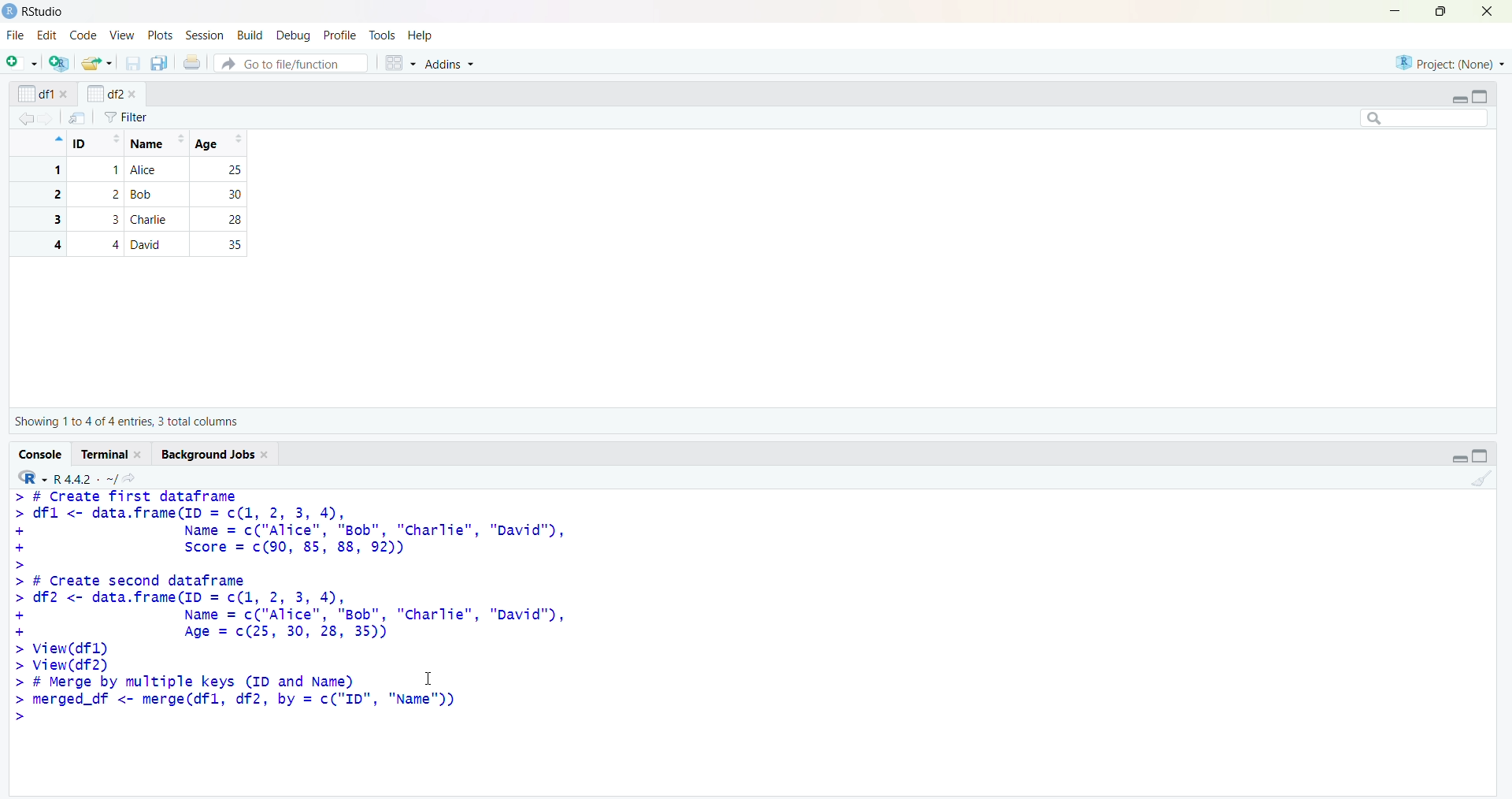 The width and height of the screenshot is (1512, 799). What do you see at coordinates (65, 94) in the screenshot?
I see `close` at bounding box center [65, 94].